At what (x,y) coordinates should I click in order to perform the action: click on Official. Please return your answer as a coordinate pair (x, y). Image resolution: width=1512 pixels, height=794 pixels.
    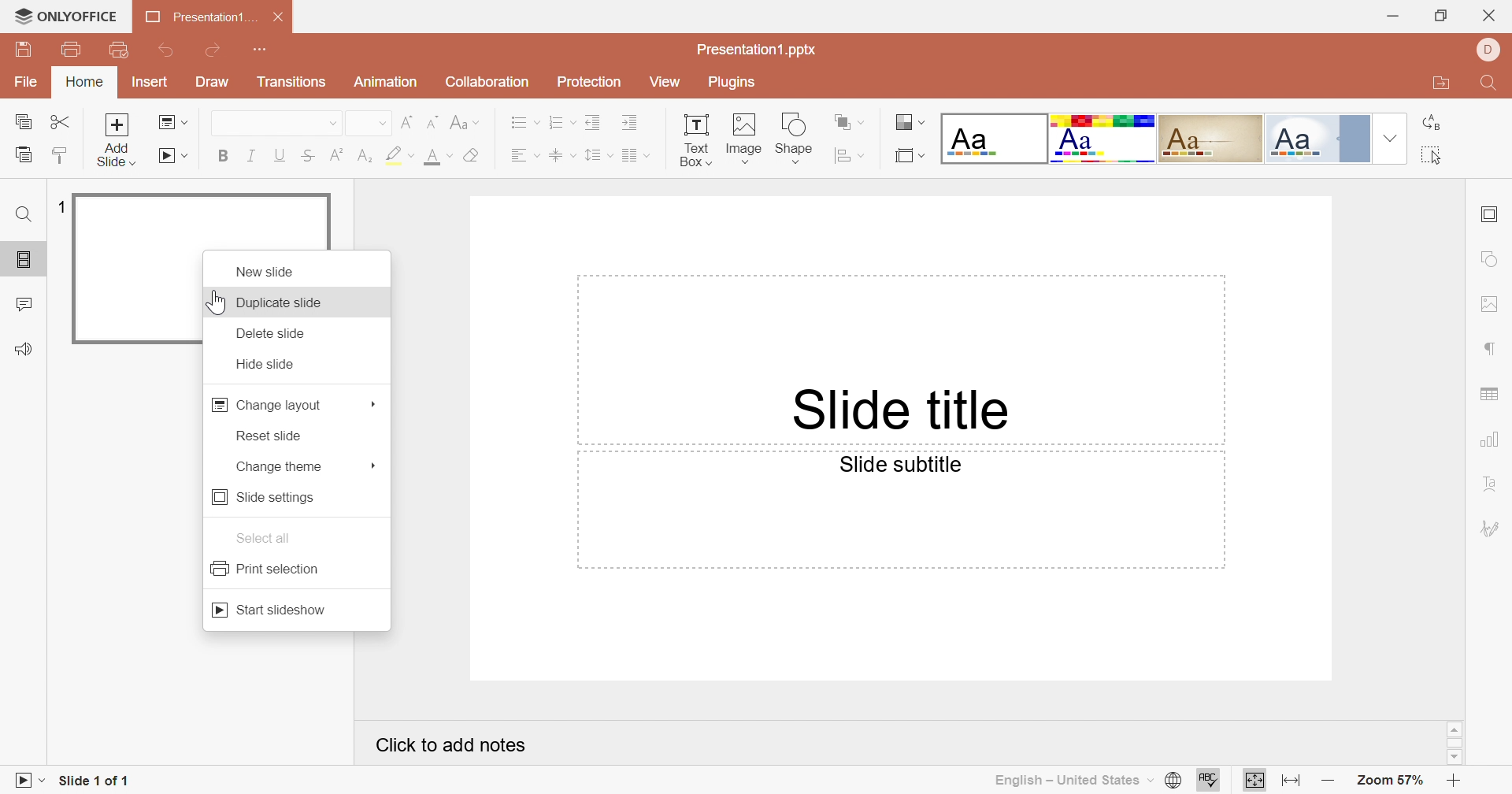
    Looking at the image, I should click on (1316, 139).